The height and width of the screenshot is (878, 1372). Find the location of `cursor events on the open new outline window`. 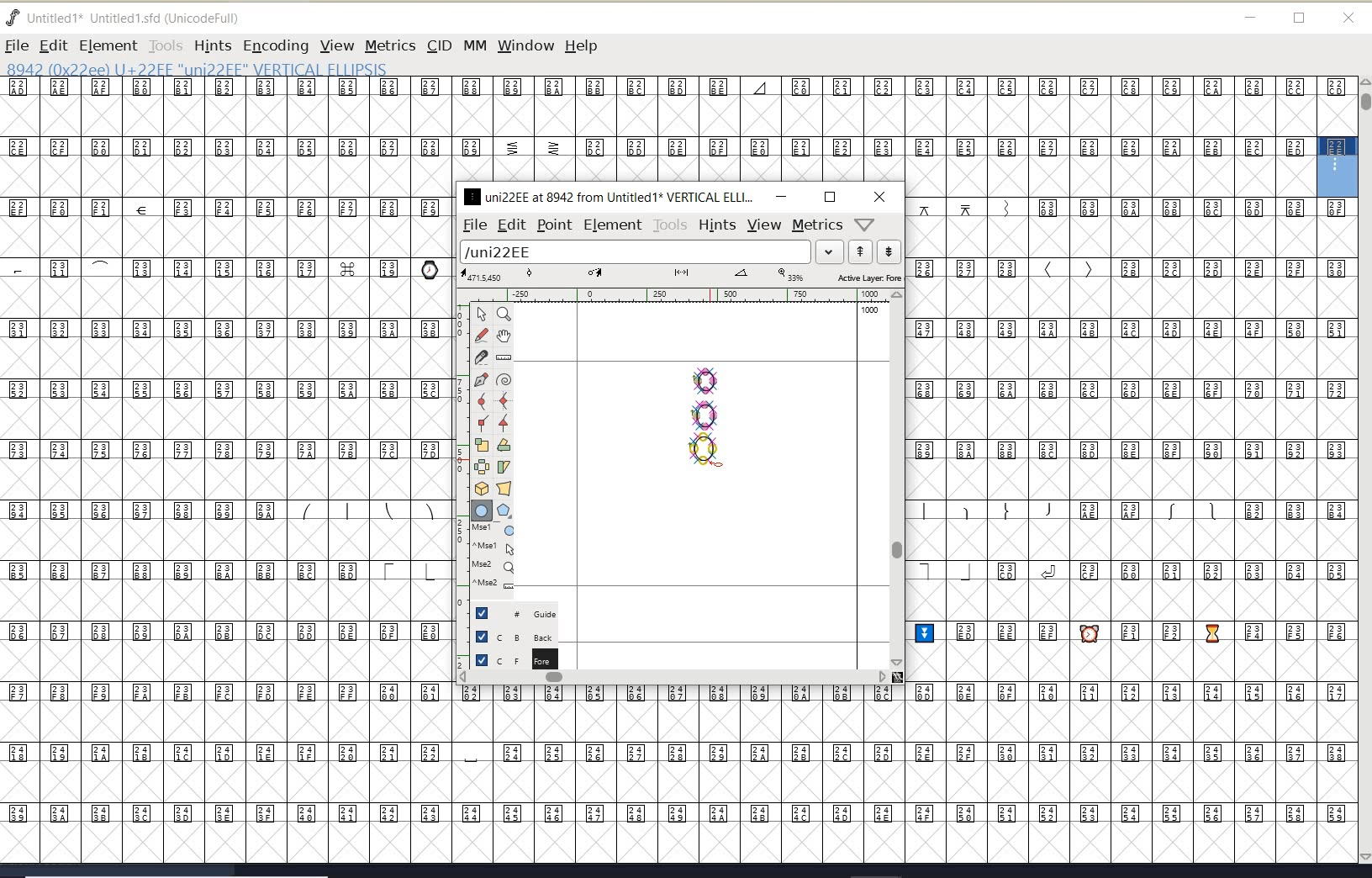

cursor events on the open new outline window is located at coordinates (495, 557).